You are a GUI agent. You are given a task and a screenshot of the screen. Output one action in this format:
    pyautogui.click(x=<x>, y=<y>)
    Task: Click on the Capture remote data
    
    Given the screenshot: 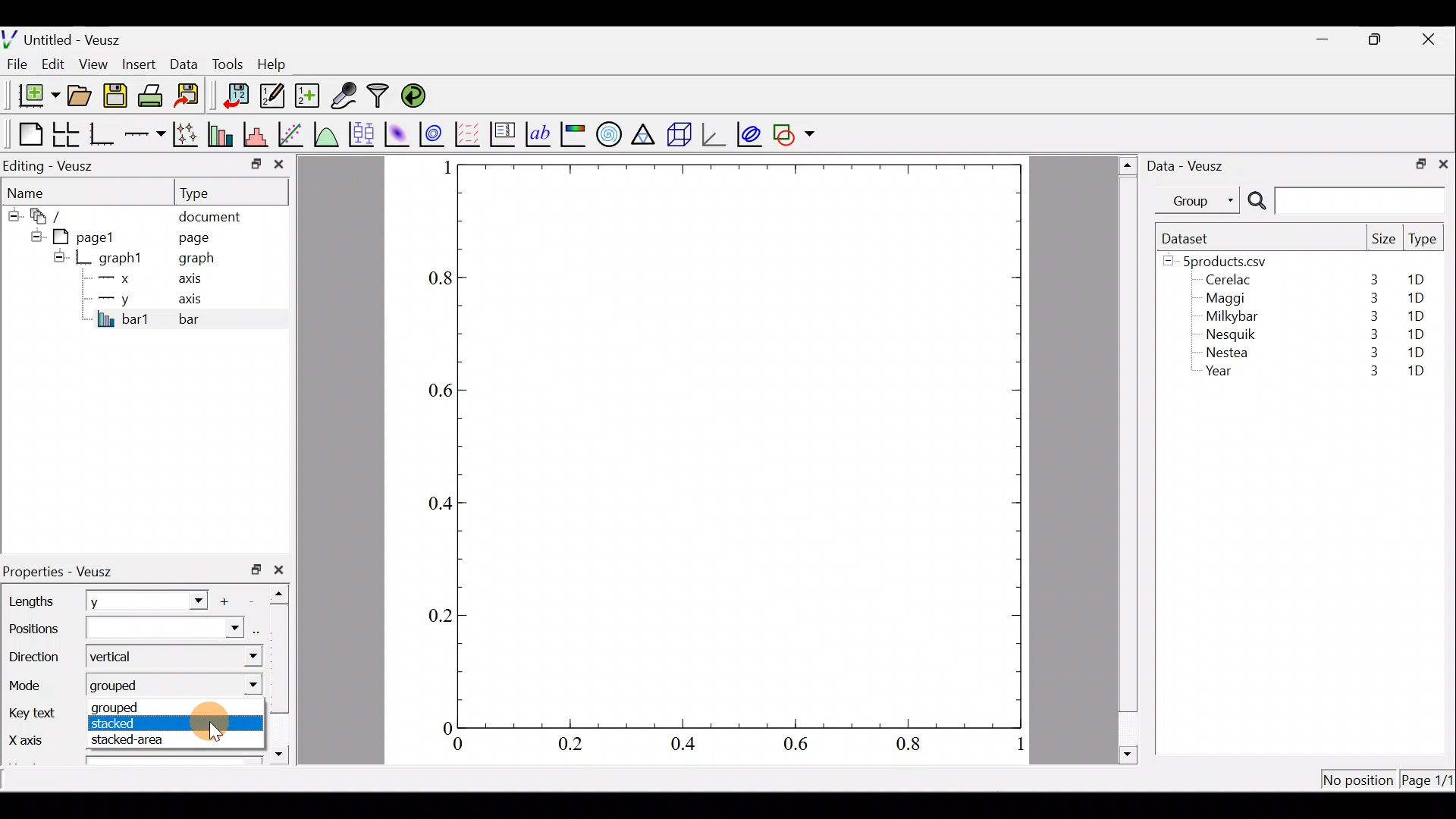 What is the action you would take?
    pyautogui.click(x=345, y=96)
    